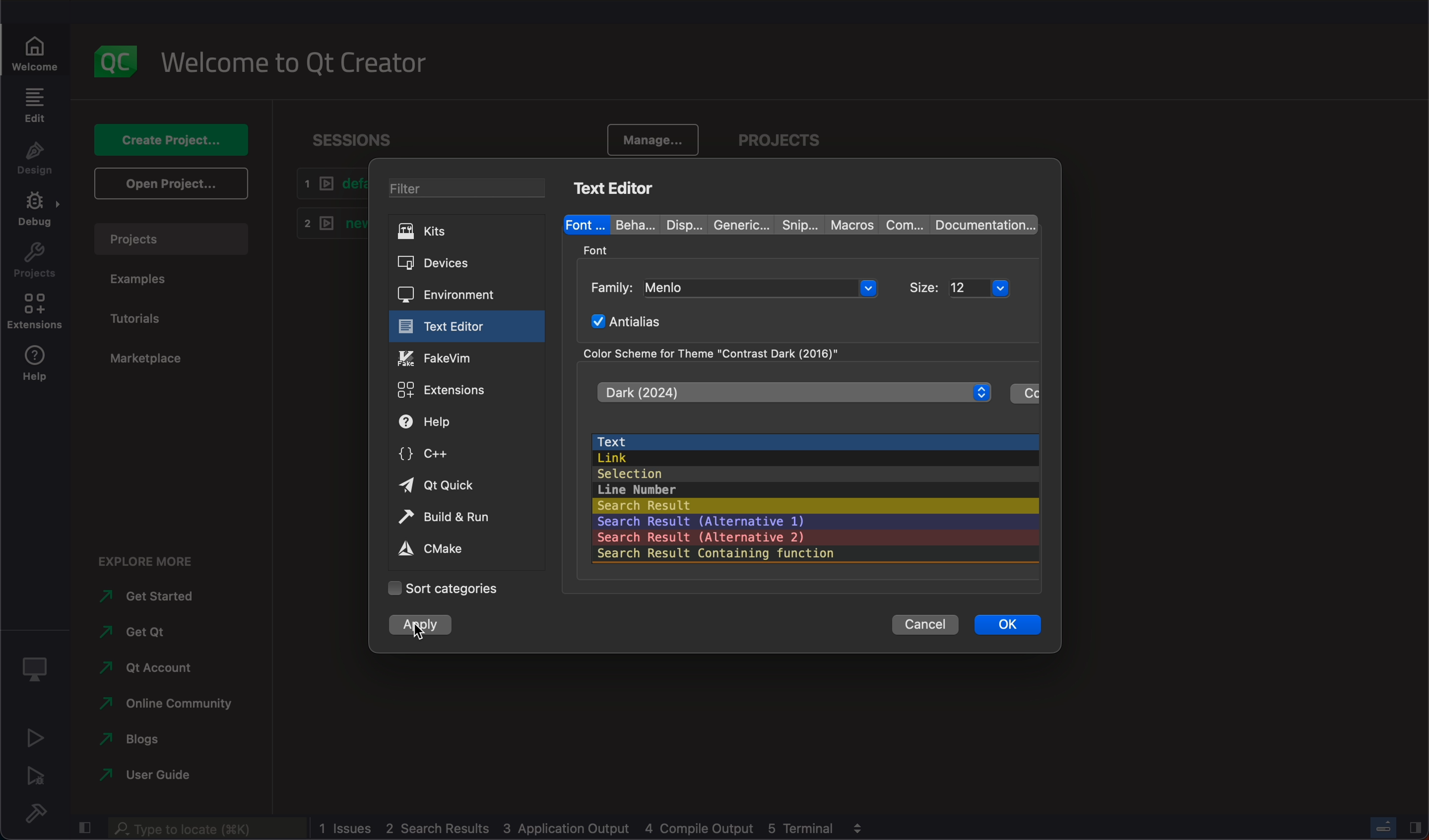 The height and width of the screenshot is (840, 1429). I want to click on com, so click(899, 224).